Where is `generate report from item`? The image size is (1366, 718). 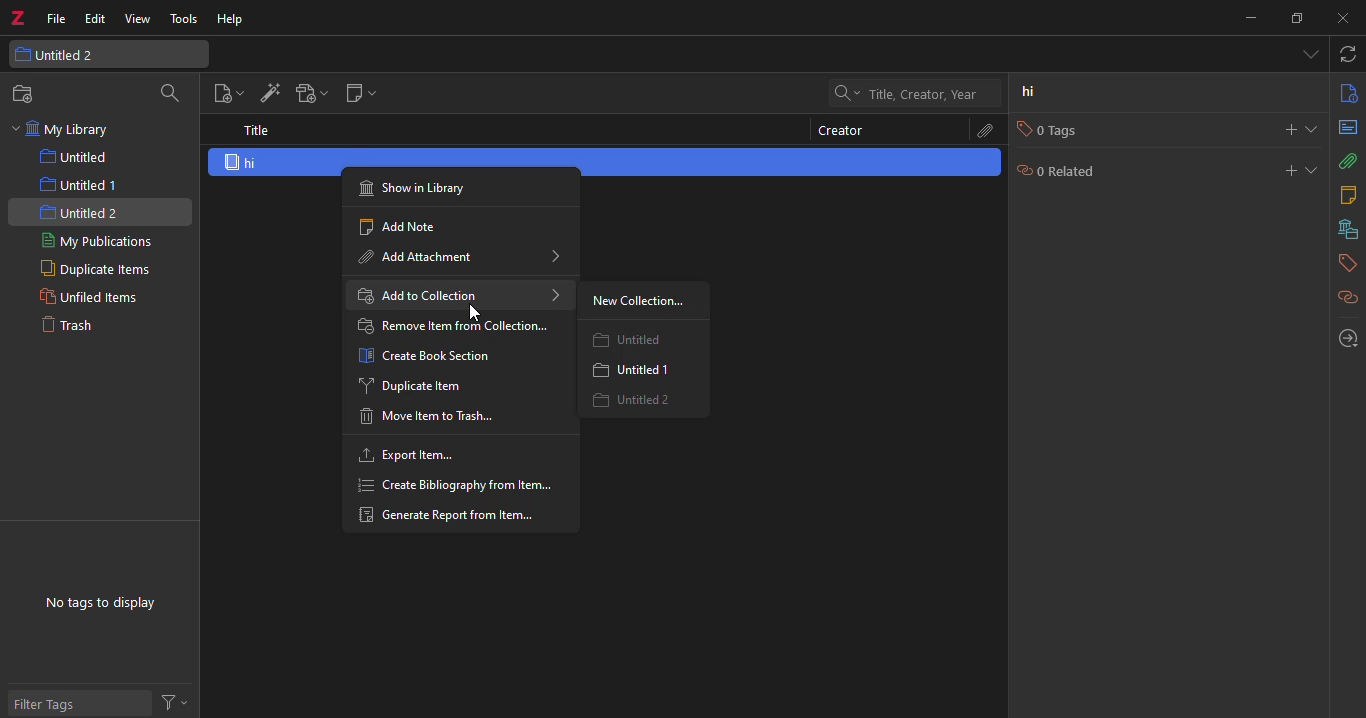 generate report from item is located at coordinates (454, 515).